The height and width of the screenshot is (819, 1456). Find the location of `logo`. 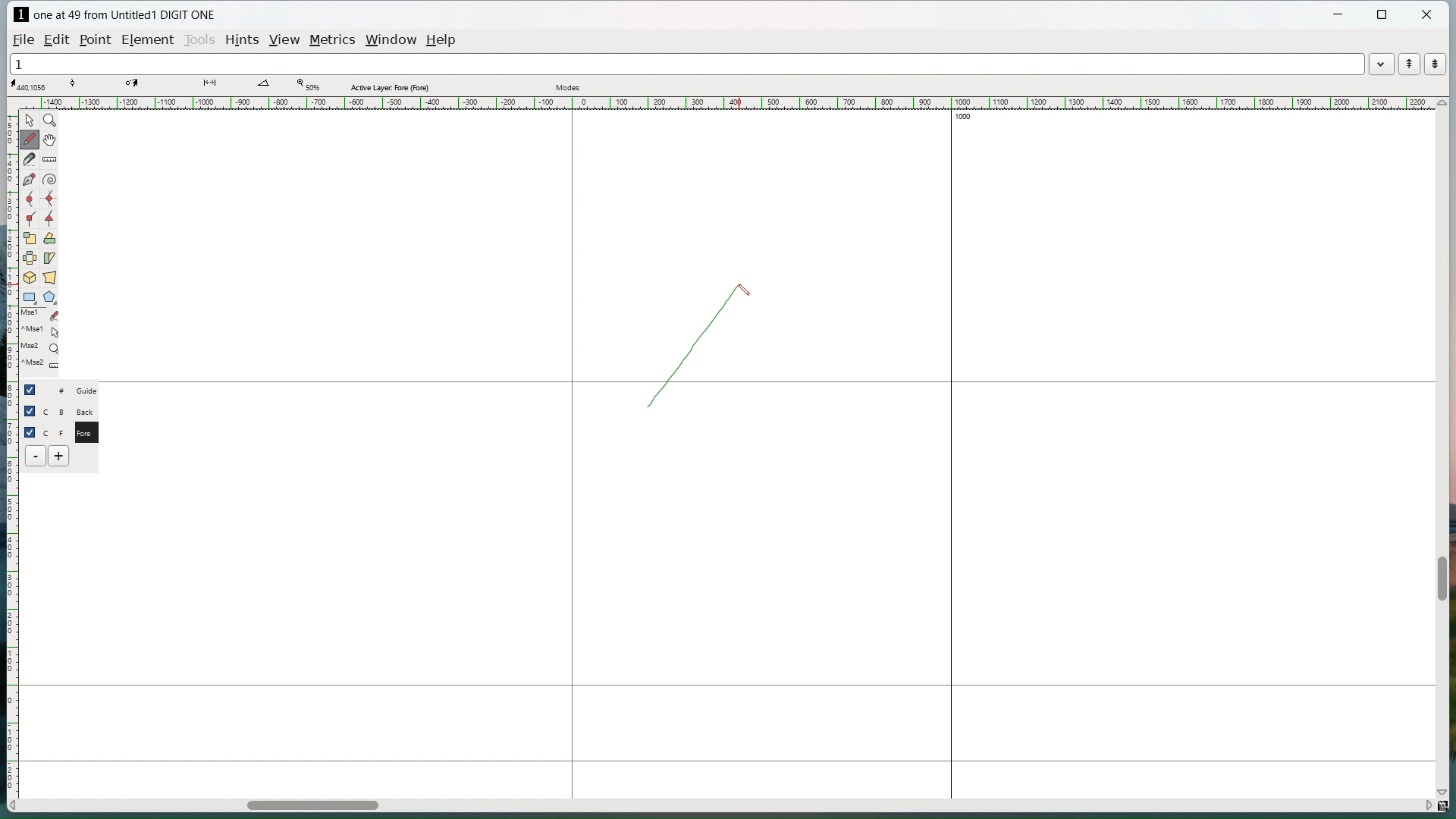

logo is located at coordinates (20, 14).